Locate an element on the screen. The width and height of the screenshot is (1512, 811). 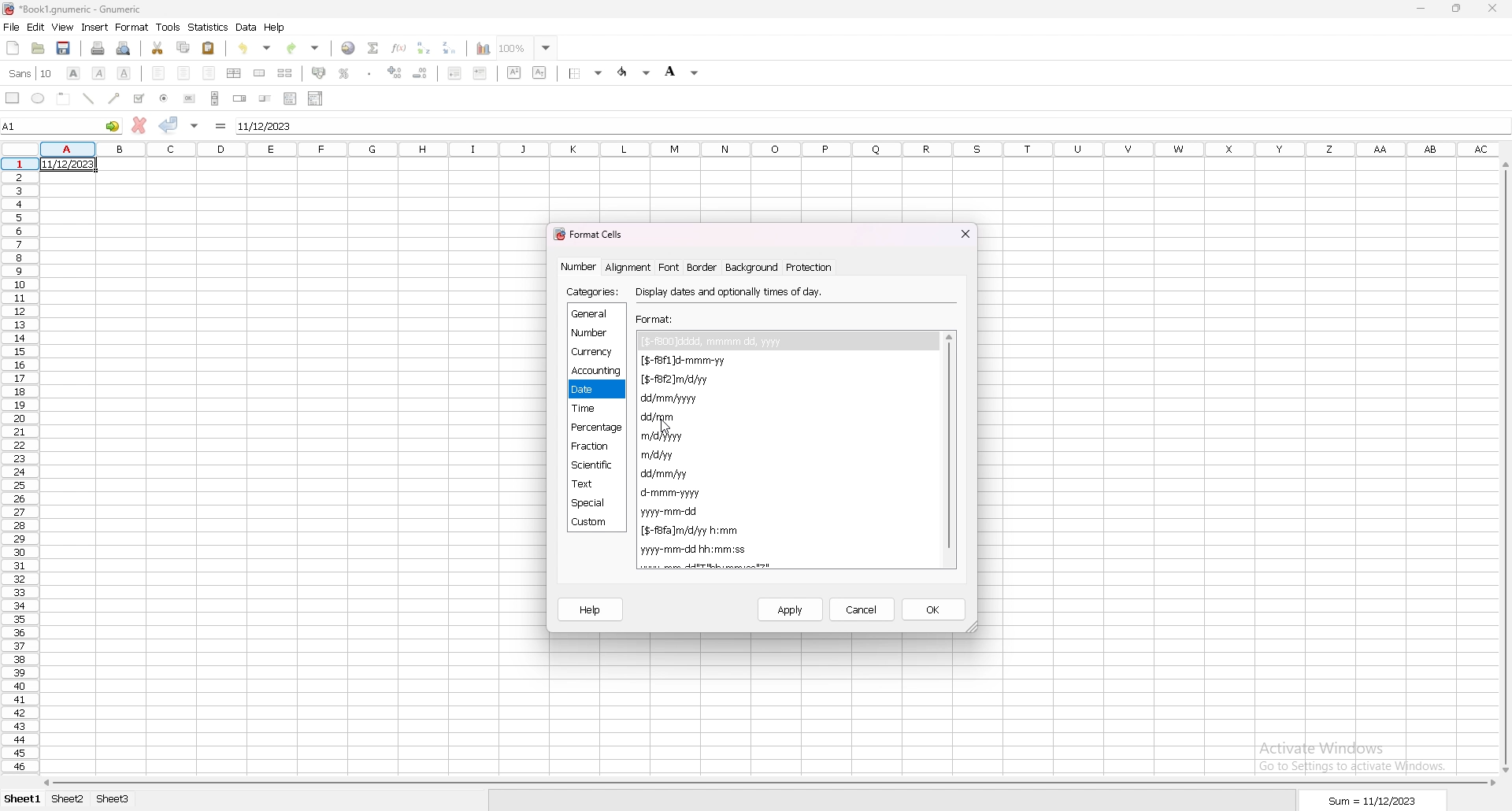
foreground is located at coordinates (635, 72).